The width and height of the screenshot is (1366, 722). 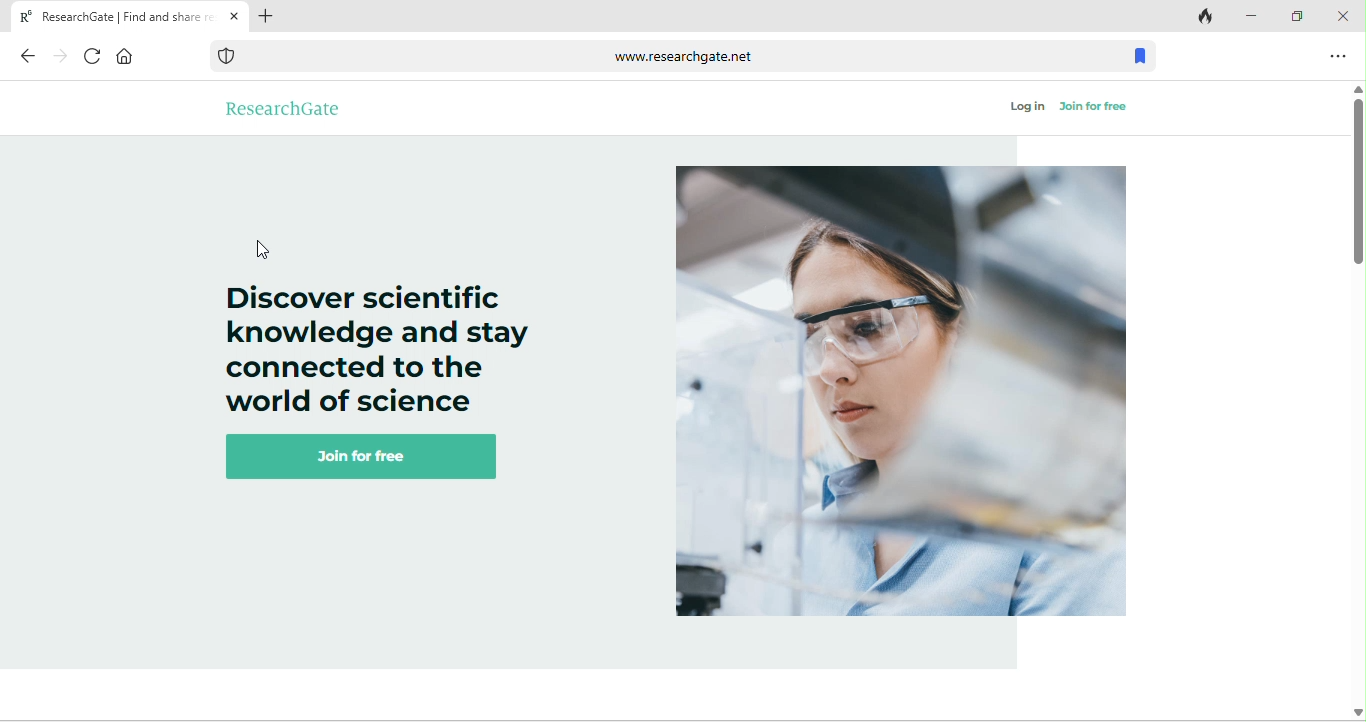 What do you see at coordinates (1344, 14) in the screenshot?
I see `close` at bounding box center [1344, 14].